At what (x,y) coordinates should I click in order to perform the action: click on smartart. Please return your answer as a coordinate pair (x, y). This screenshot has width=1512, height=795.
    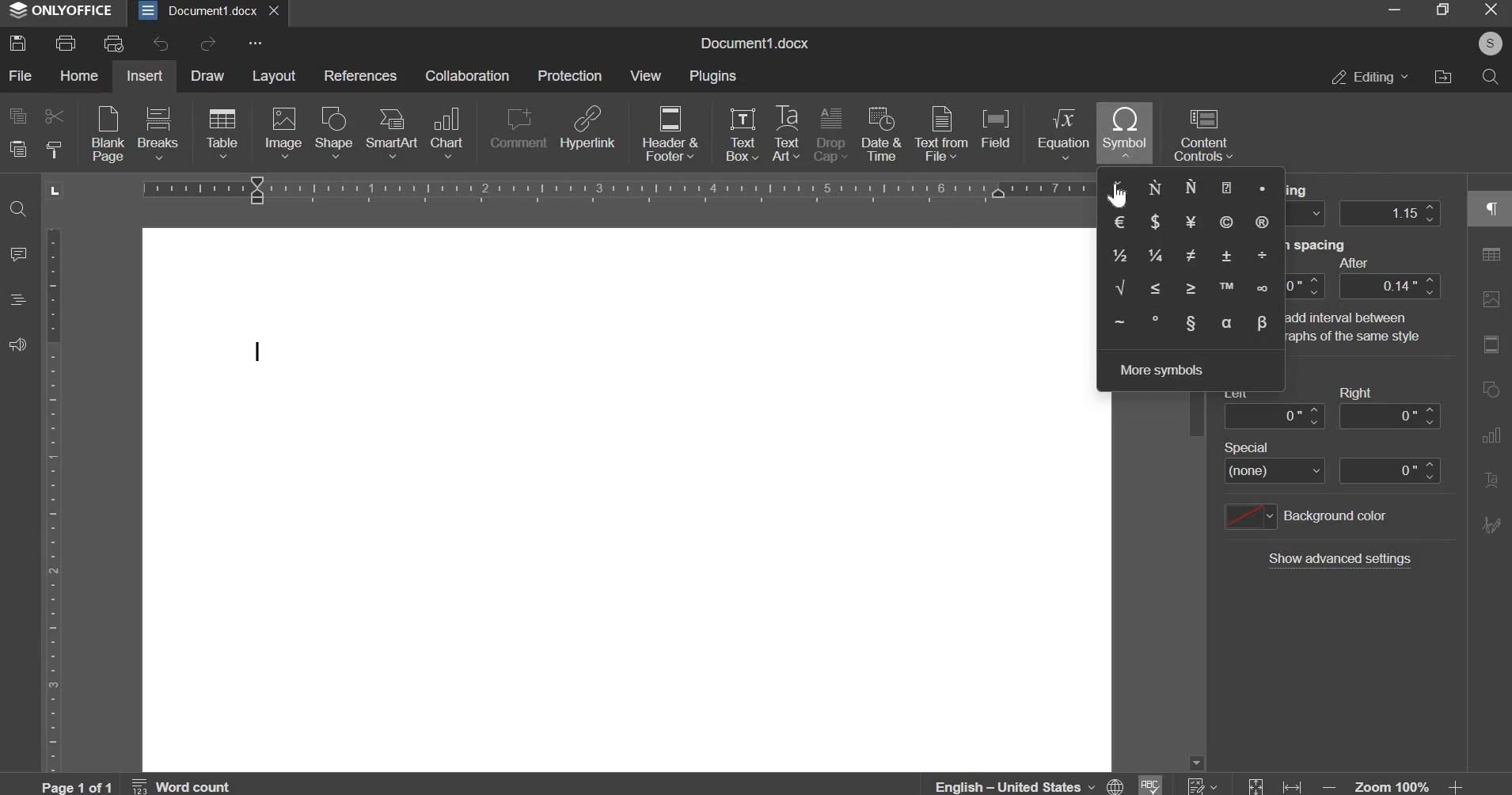
    Looking at the image, I should click on (394, 132).